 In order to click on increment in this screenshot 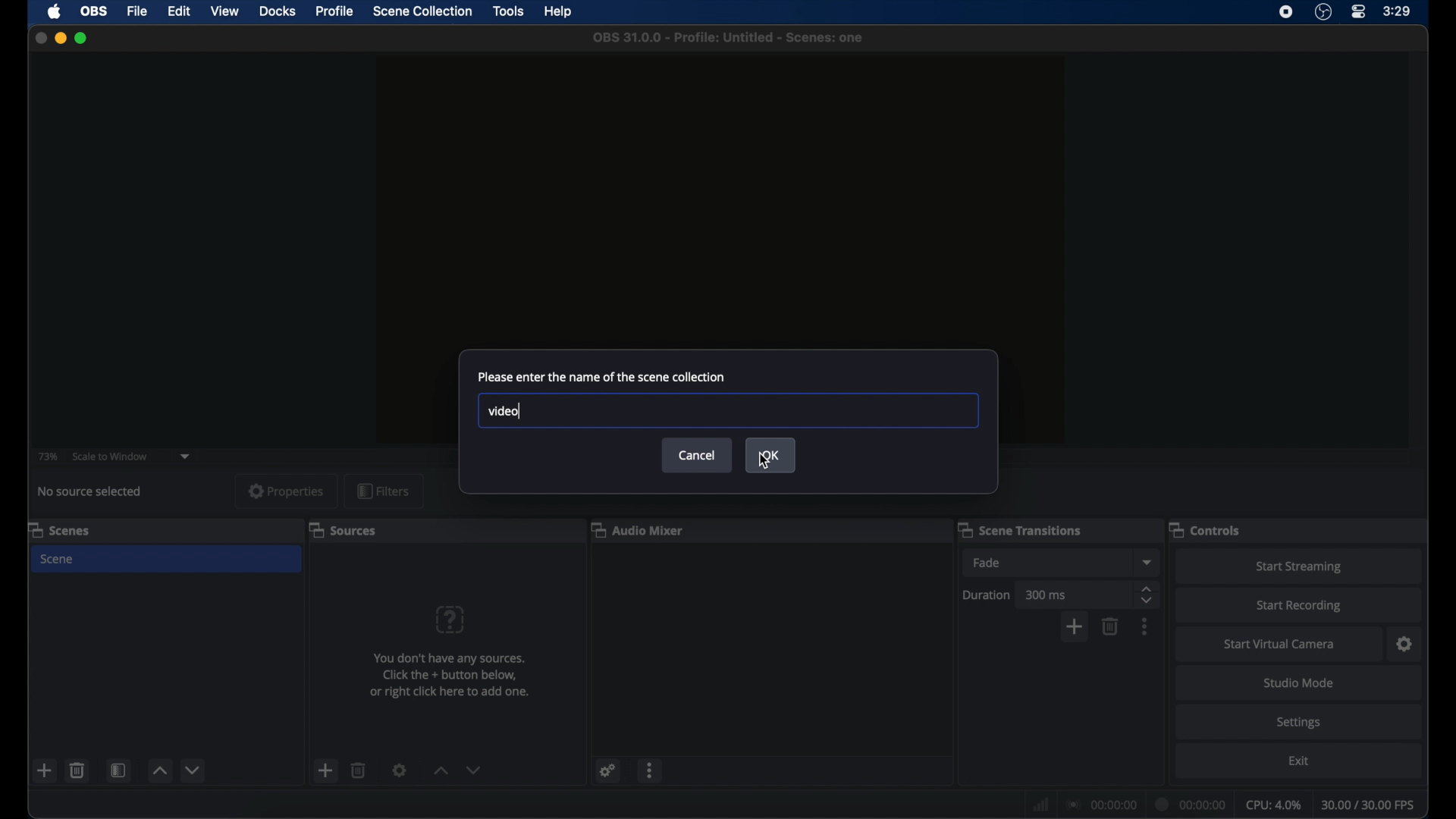, I will do `click(438, 770)`.